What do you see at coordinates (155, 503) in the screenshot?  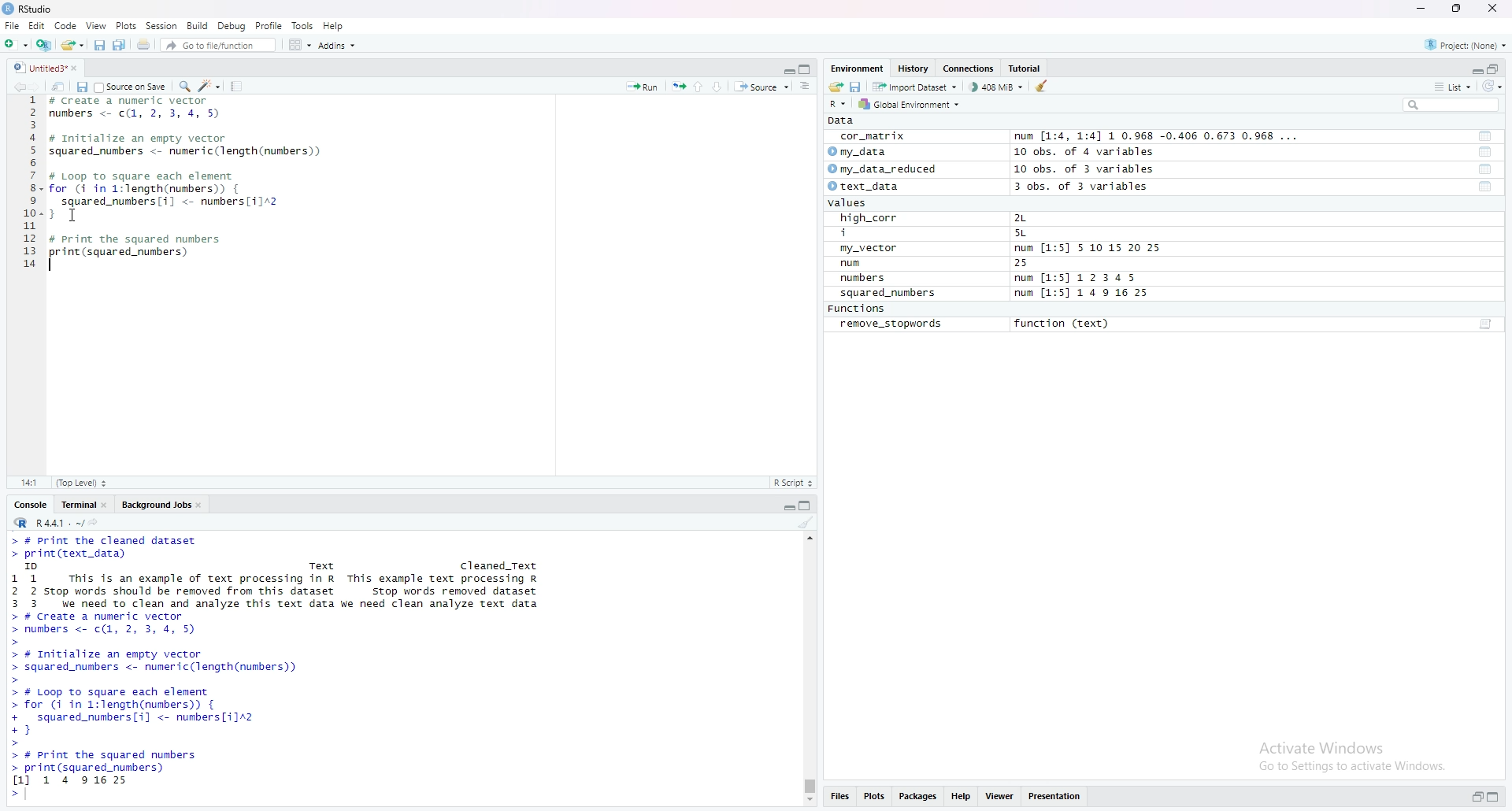 I see `Background Jobs` at bounding box center [155, 503].